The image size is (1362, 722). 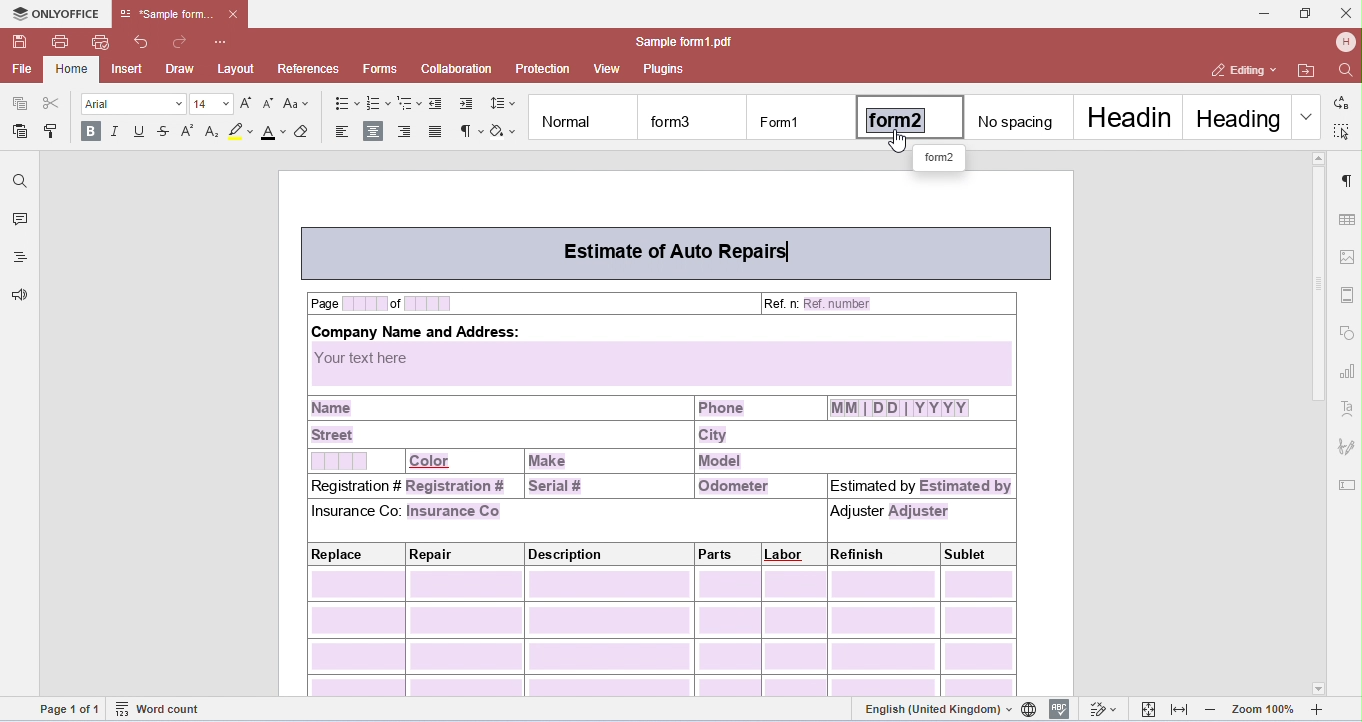 What do you see at coordinates (180, 42) in the screenshot?
I see `redo` at bounding box center [180, 42].